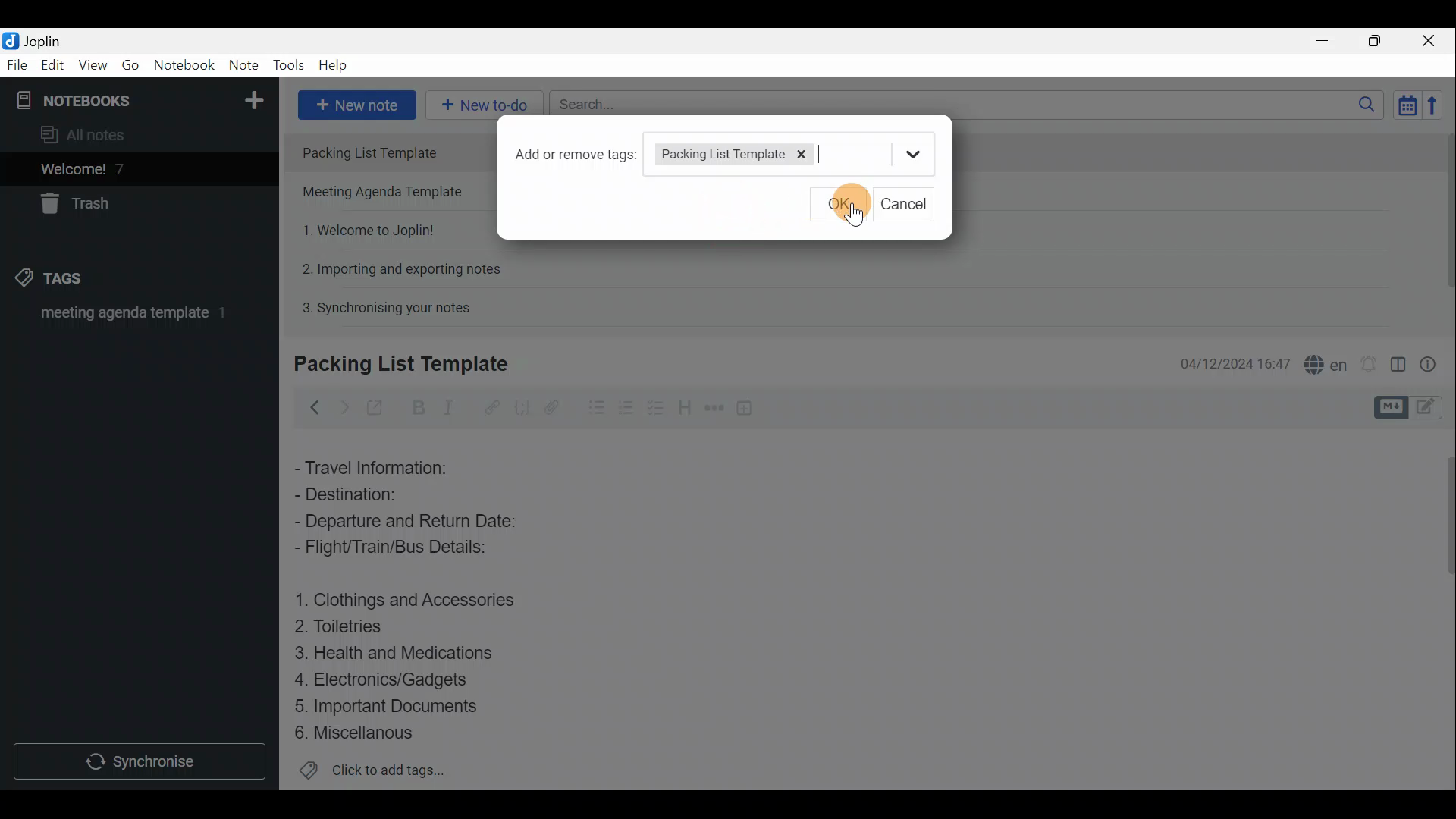 Image resolution: width=1456 pixels, height=819 pixels. I want to click on Destination:, so click(378, 494).